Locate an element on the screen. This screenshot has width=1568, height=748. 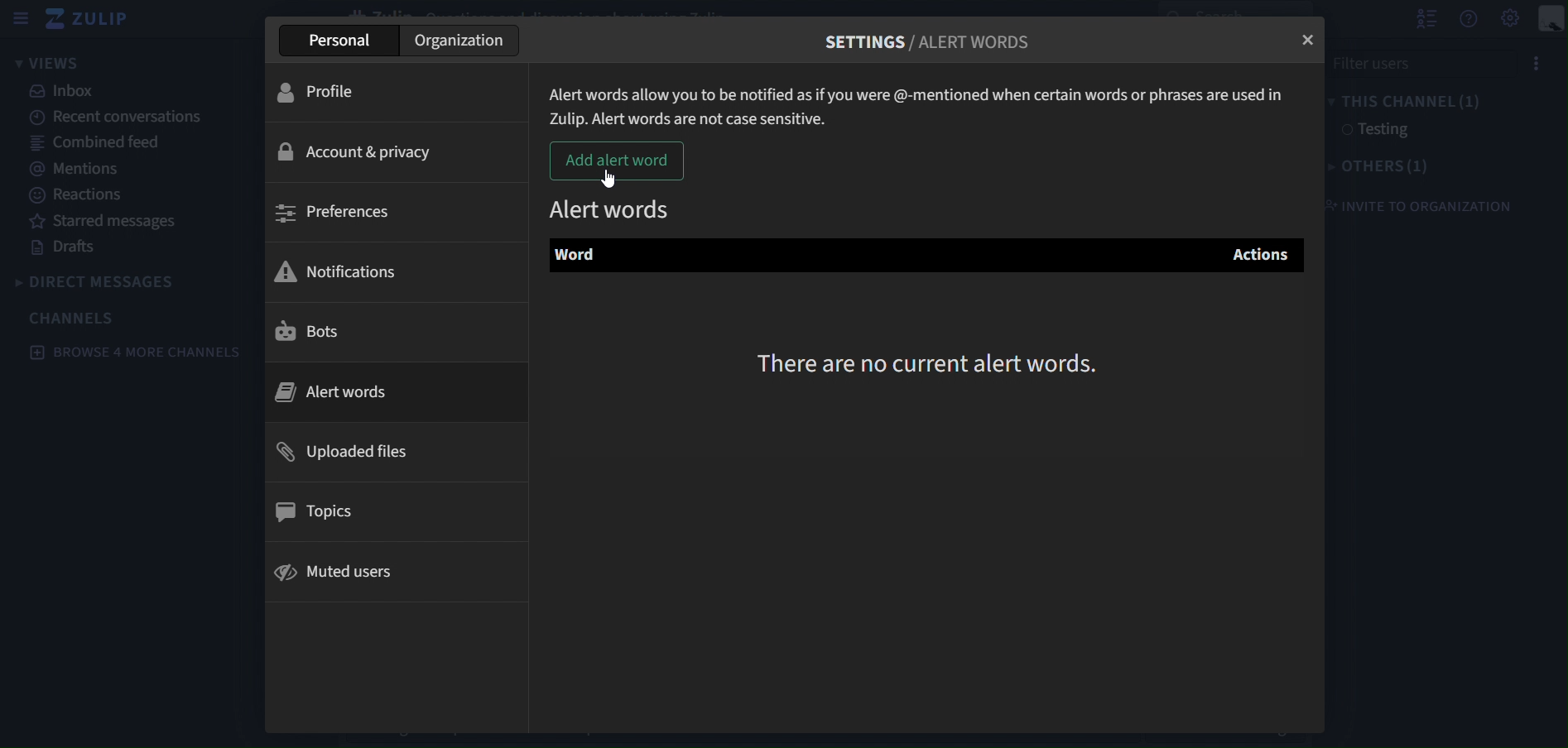
testing is located at coordinates (1375, 132).